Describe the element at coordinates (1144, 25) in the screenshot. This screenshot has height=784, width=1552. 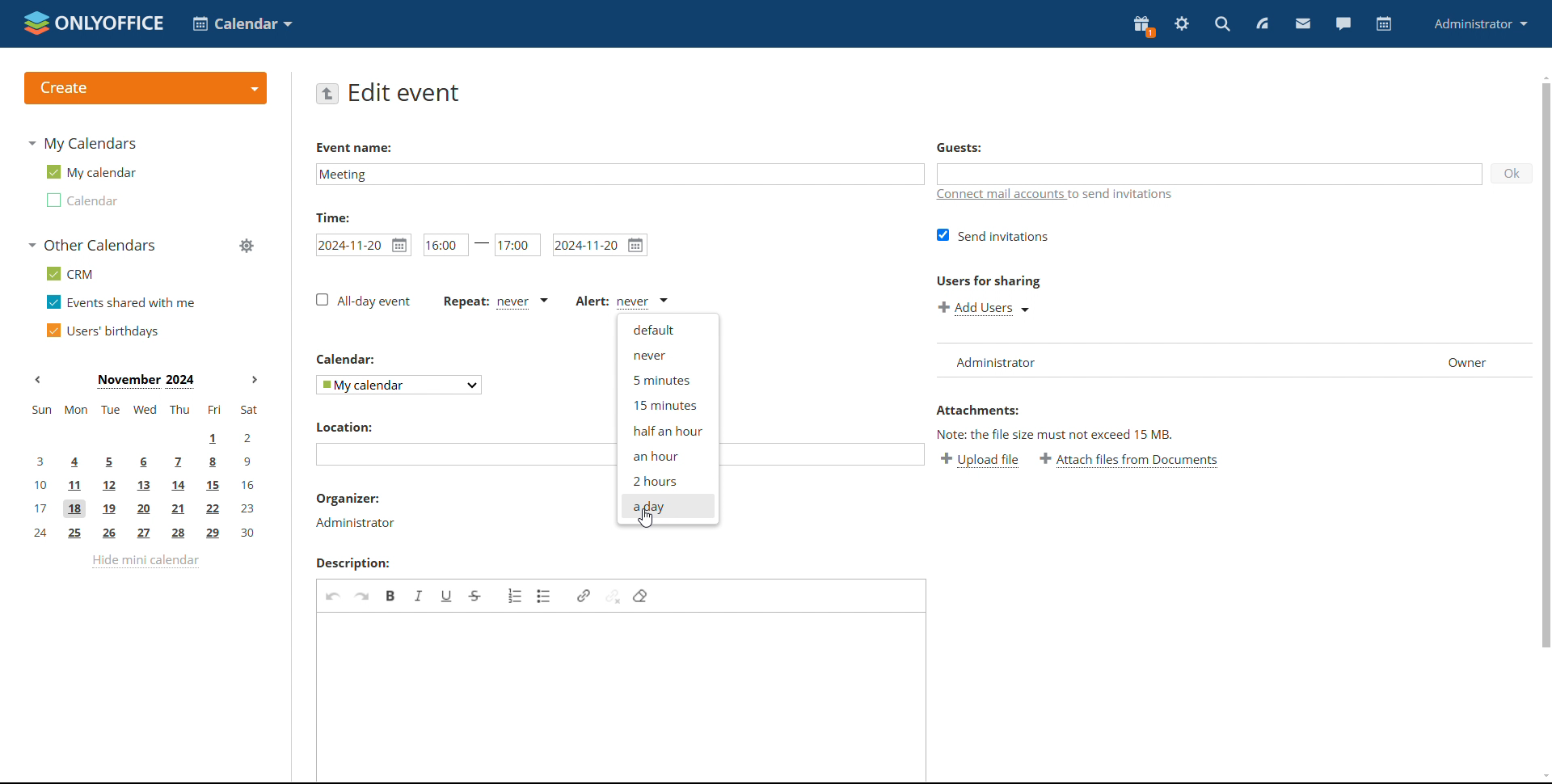
I see `present` at that location.